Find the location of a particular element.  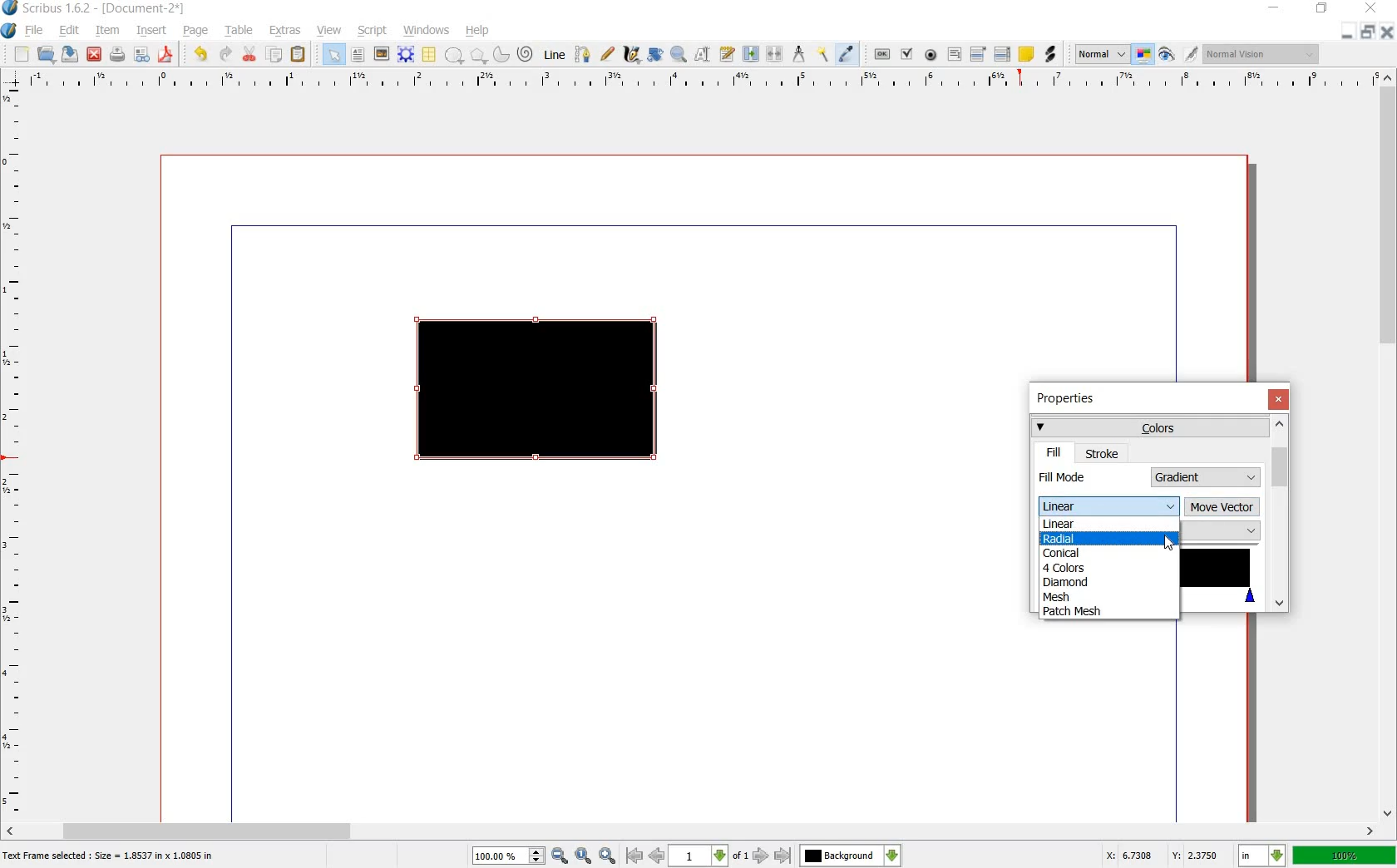

undo is located at coordinates (203, 55).